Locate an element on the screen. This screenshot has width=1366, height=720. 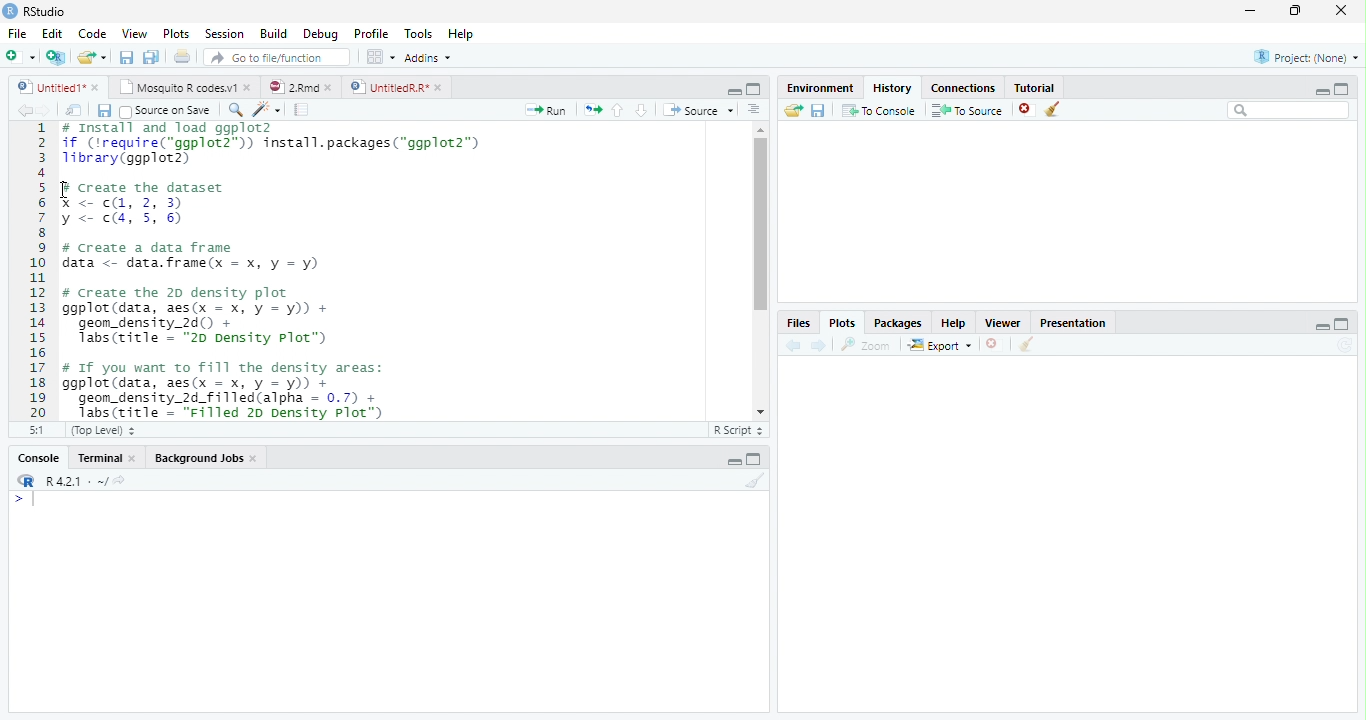
zoom is located at coordinates (869, 346).